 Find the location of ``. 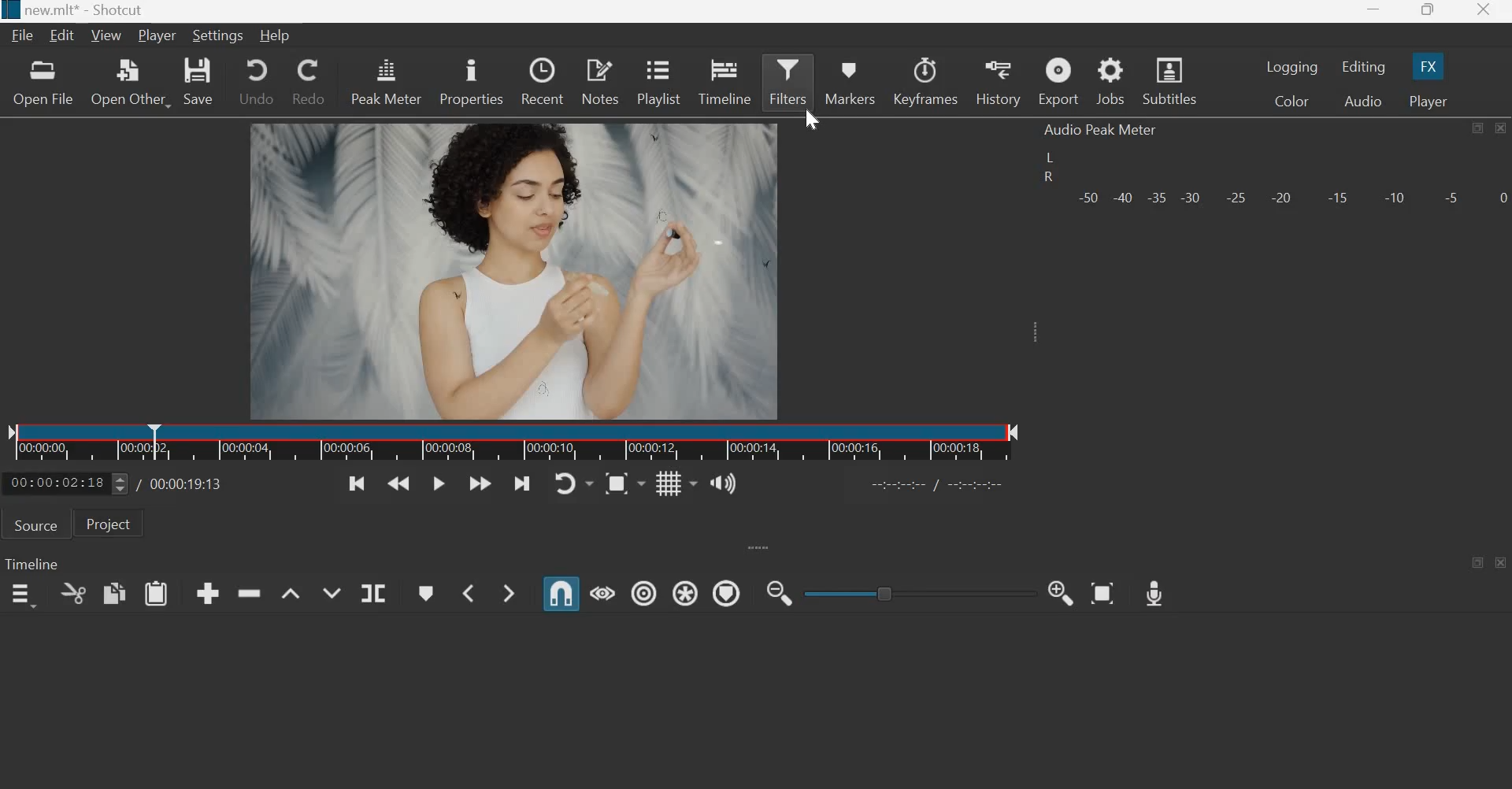

 is located at coordinates (44, 83).